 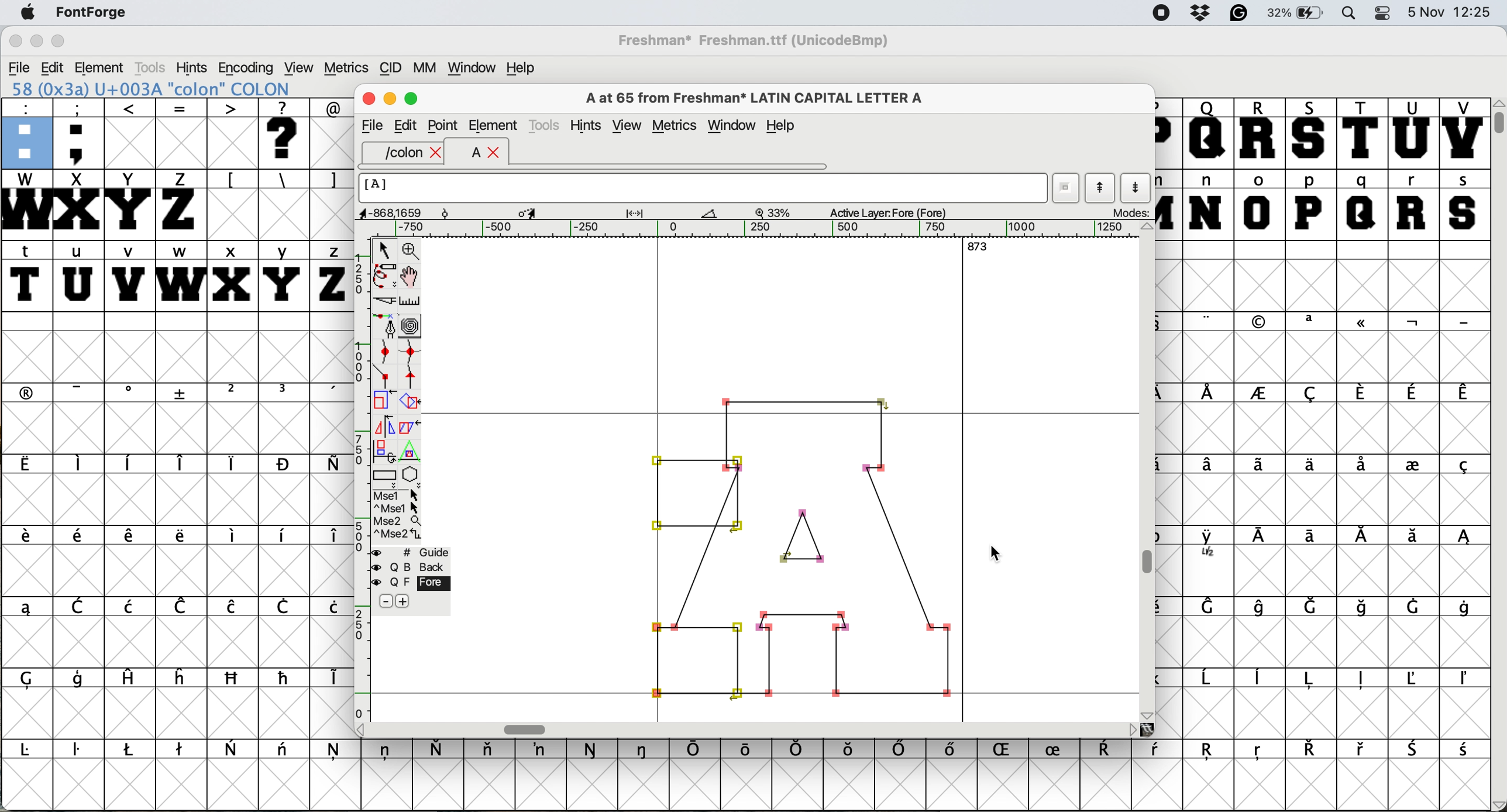 What do you see at coordinates (1148, 472) in the screenshot?
I see `vertical scroll bar` at bounding box center [1148, 472].